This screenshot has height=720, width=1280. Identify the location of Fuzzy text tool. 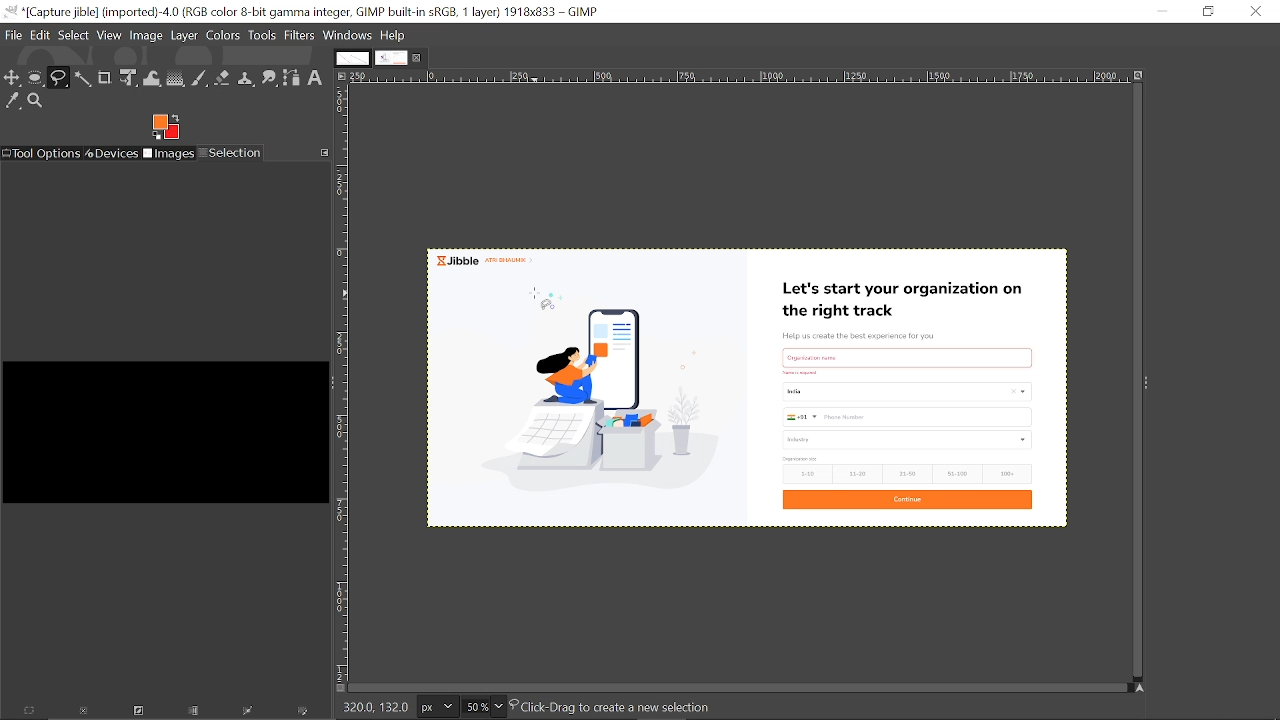
(83, 78).